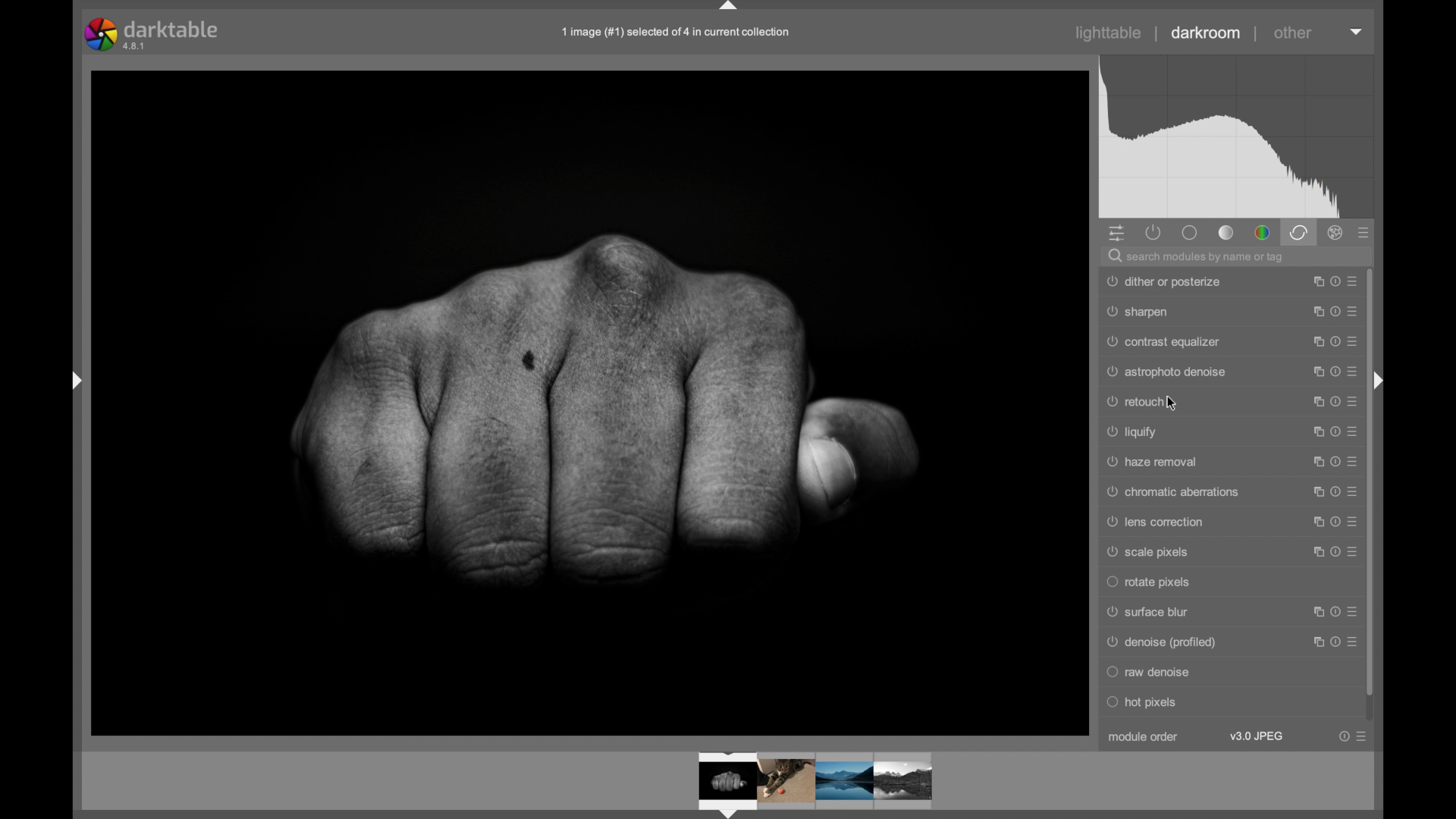  Describe the element at coordinates (1313, 312) in the screenshot. I see `maximize` at that location.